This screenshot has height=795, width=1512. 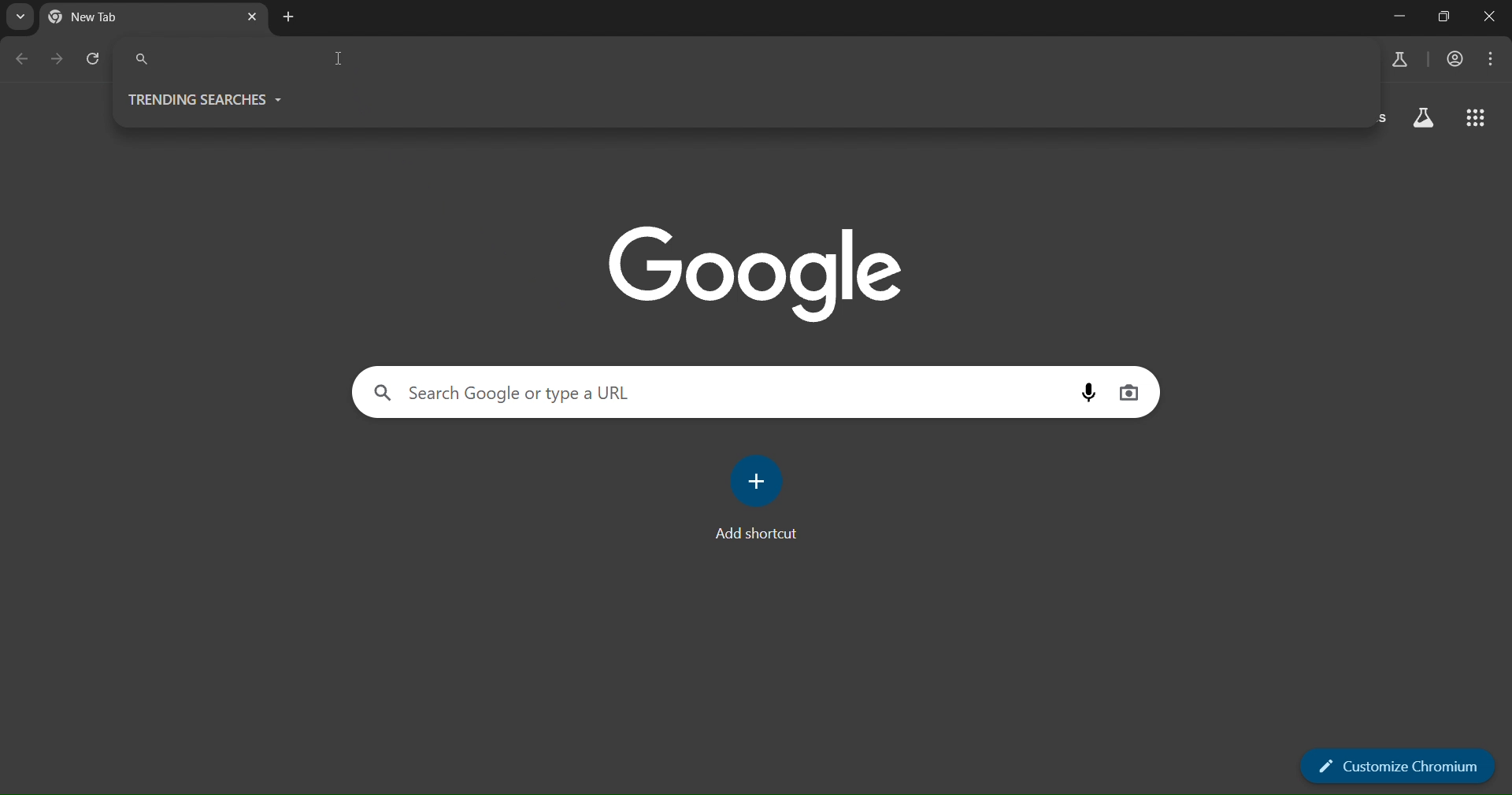 I want to click on search google or type a URL, so click(x=524, y=389).